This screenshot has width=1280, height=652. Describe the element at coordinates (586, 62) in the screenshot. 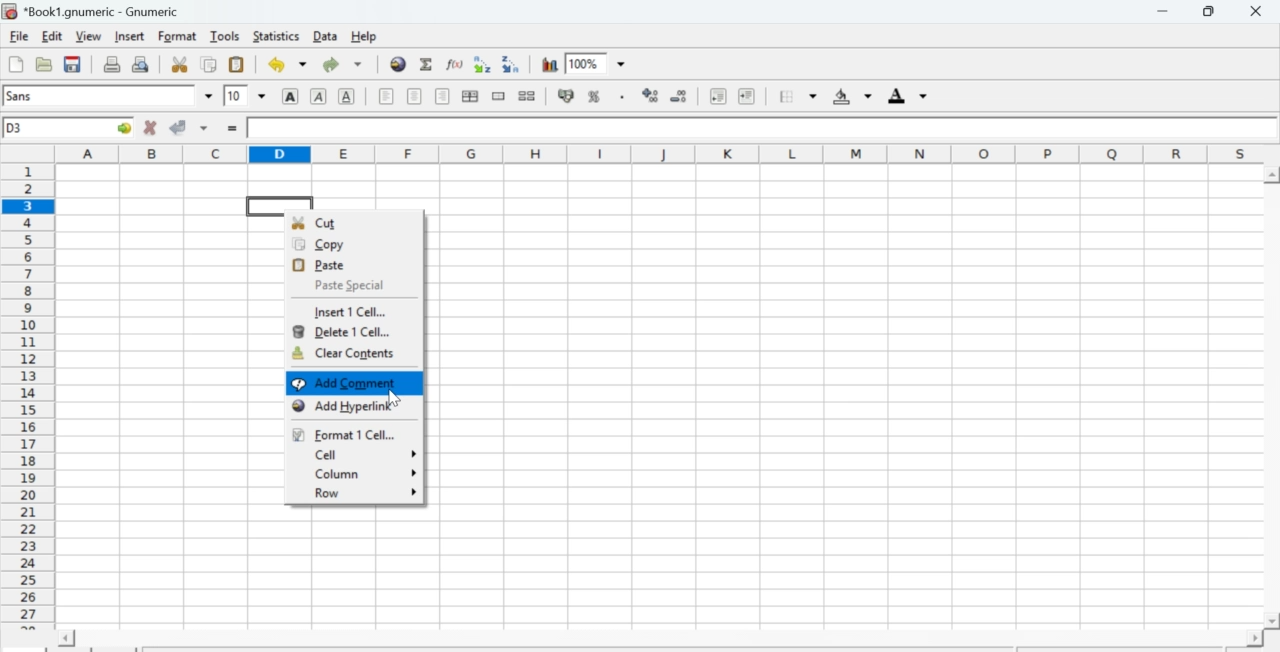

I see `Zoom` at that location.